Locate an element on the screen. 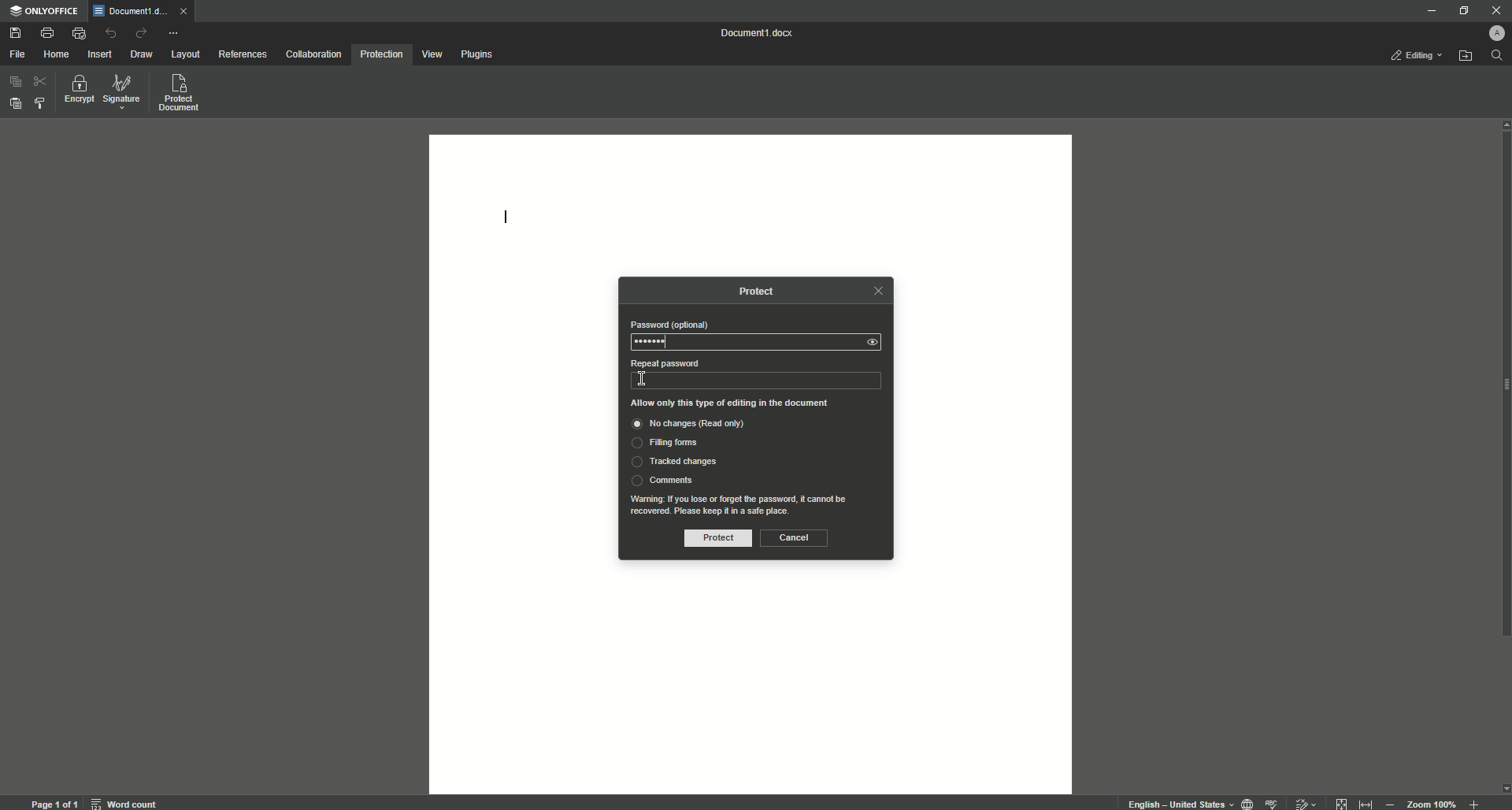 The width and height of the screenshot is (1512, 810). ONLYOFFICE is located at coordinates (46, 13).